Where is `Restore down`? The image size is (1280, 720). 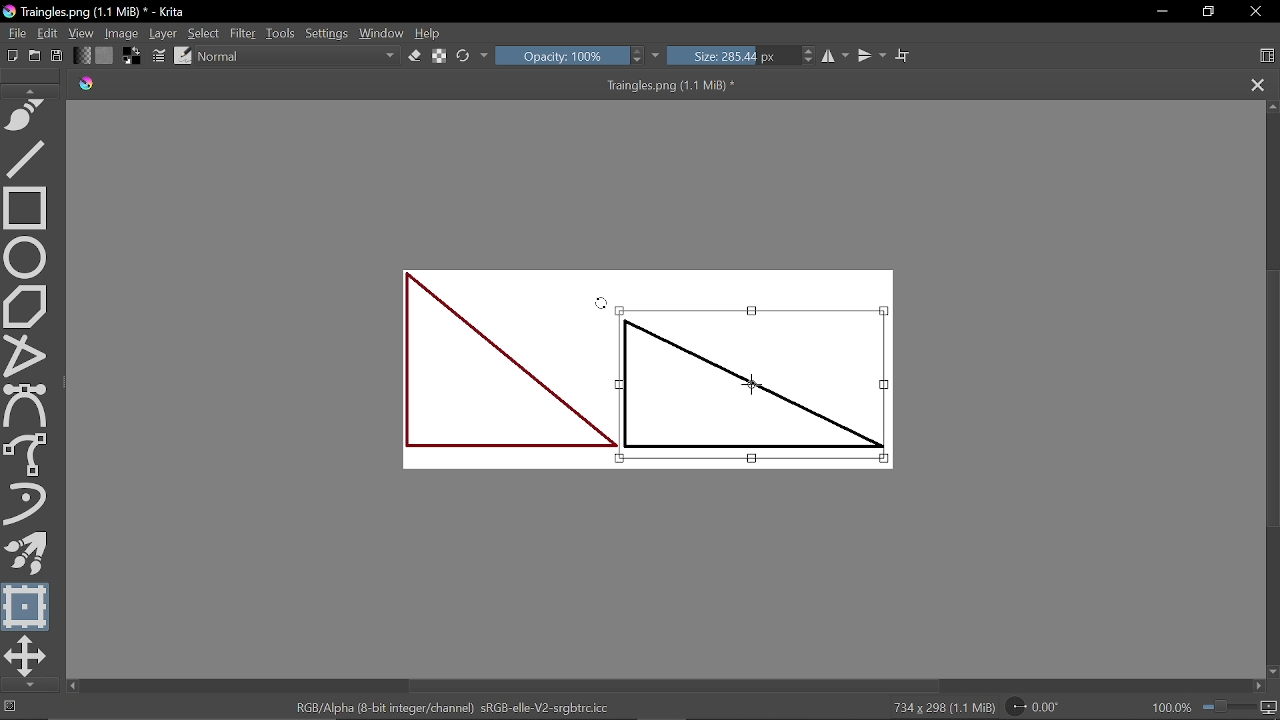 Restore down is located at coordinates (1206, 13).